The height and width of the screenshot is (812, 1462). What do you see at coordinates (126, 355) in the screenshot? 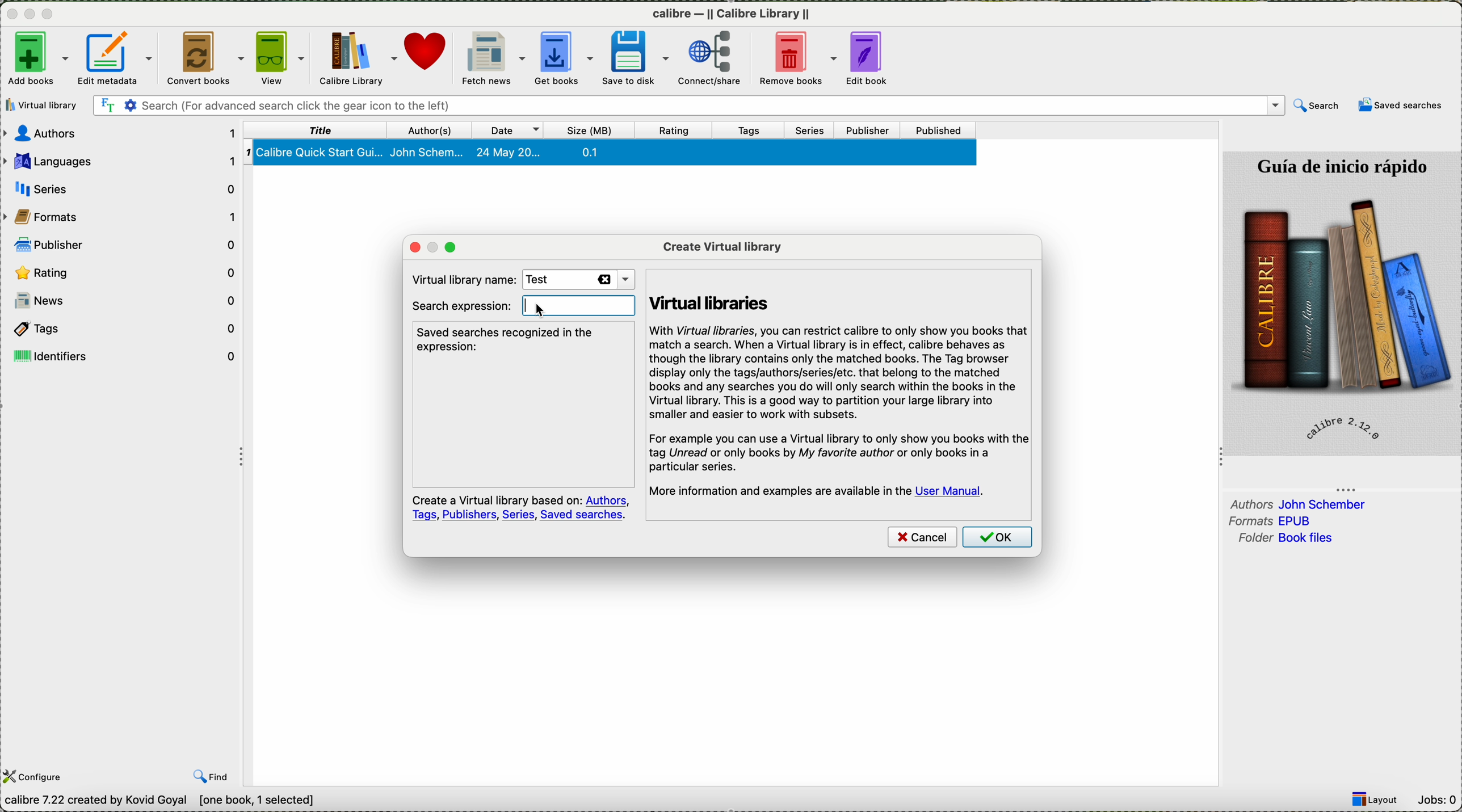
I see `identifiers` at bounding box center [126, 355].